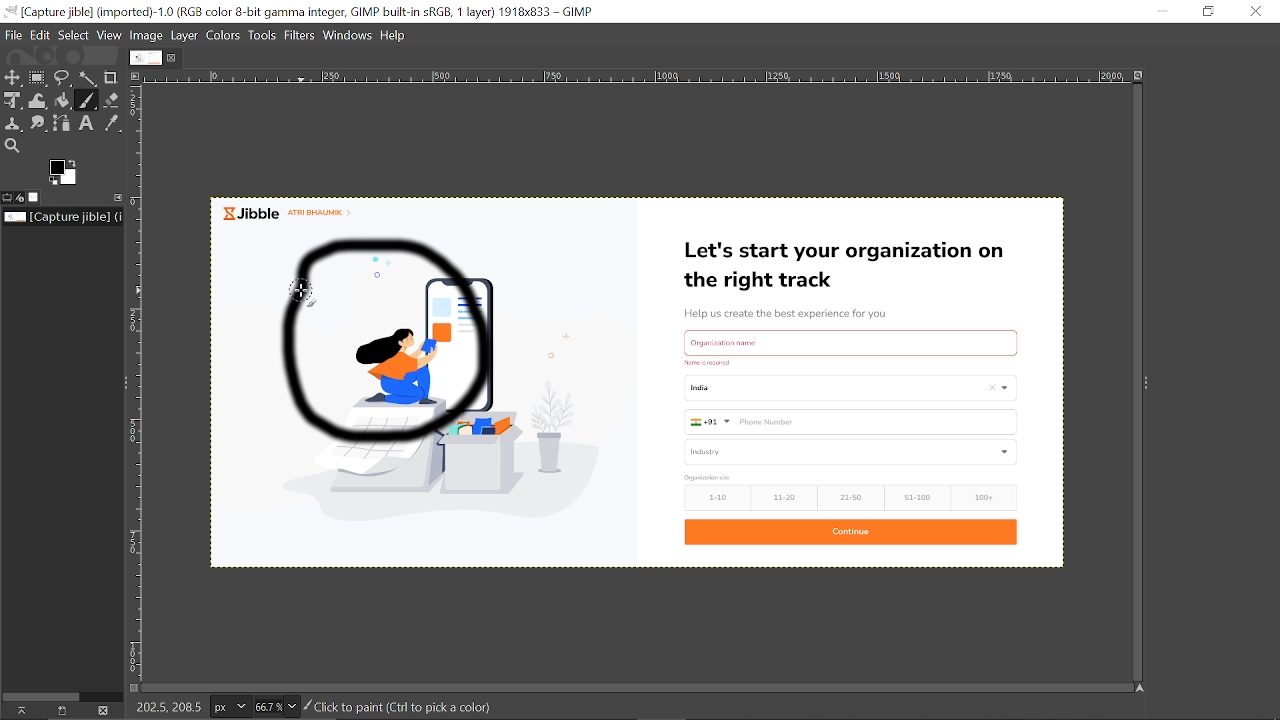 This screenshot has height=720, width=1280. I want to click on Images, so click(37, 197).